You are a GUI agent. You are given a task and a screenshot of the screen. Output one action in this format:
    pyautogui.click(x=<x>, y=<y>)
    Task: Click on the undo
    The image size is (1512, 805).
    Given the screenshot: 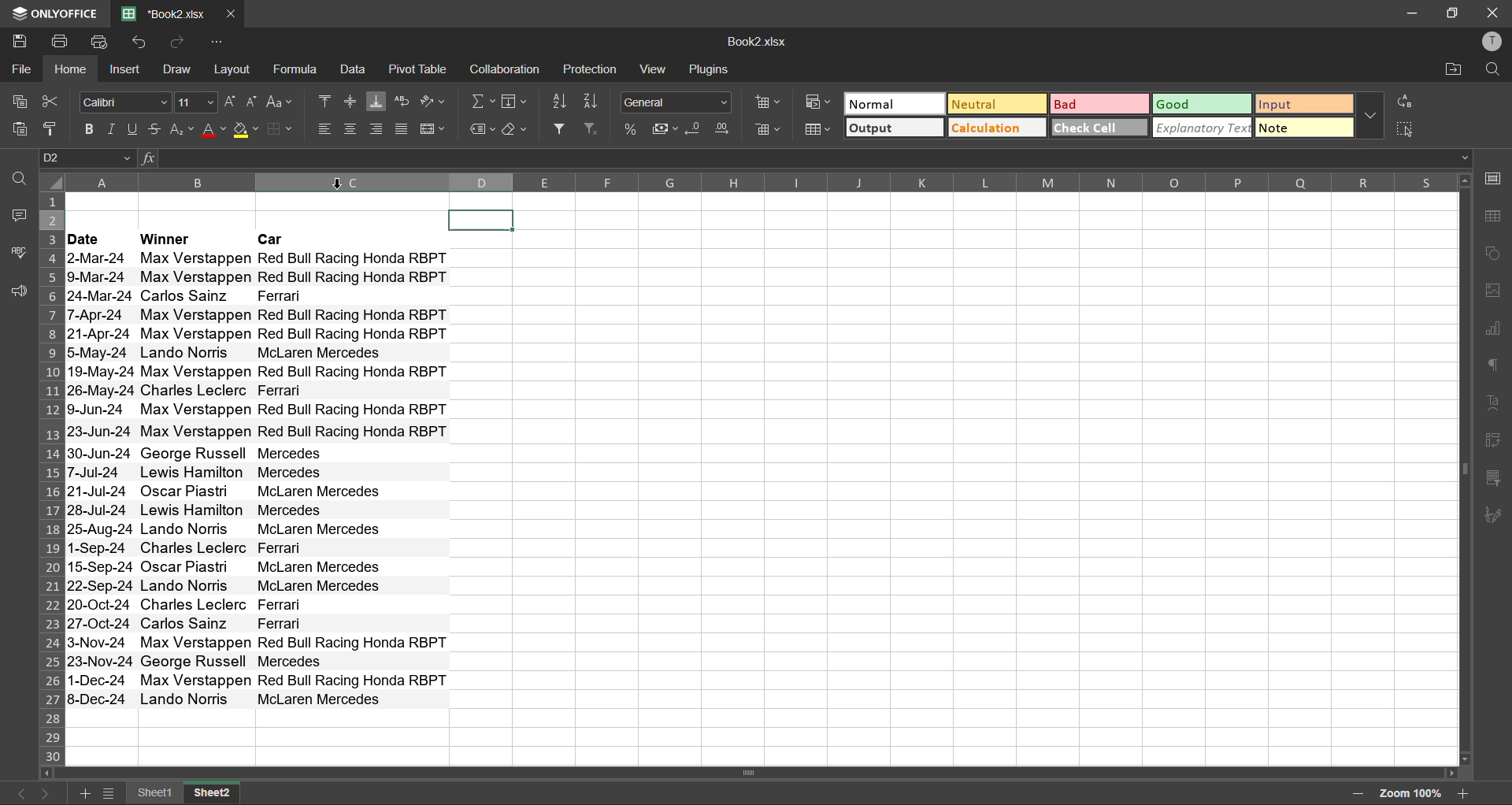 What is the action you would take?
    pyautogui.click(x=144, y=43)
    